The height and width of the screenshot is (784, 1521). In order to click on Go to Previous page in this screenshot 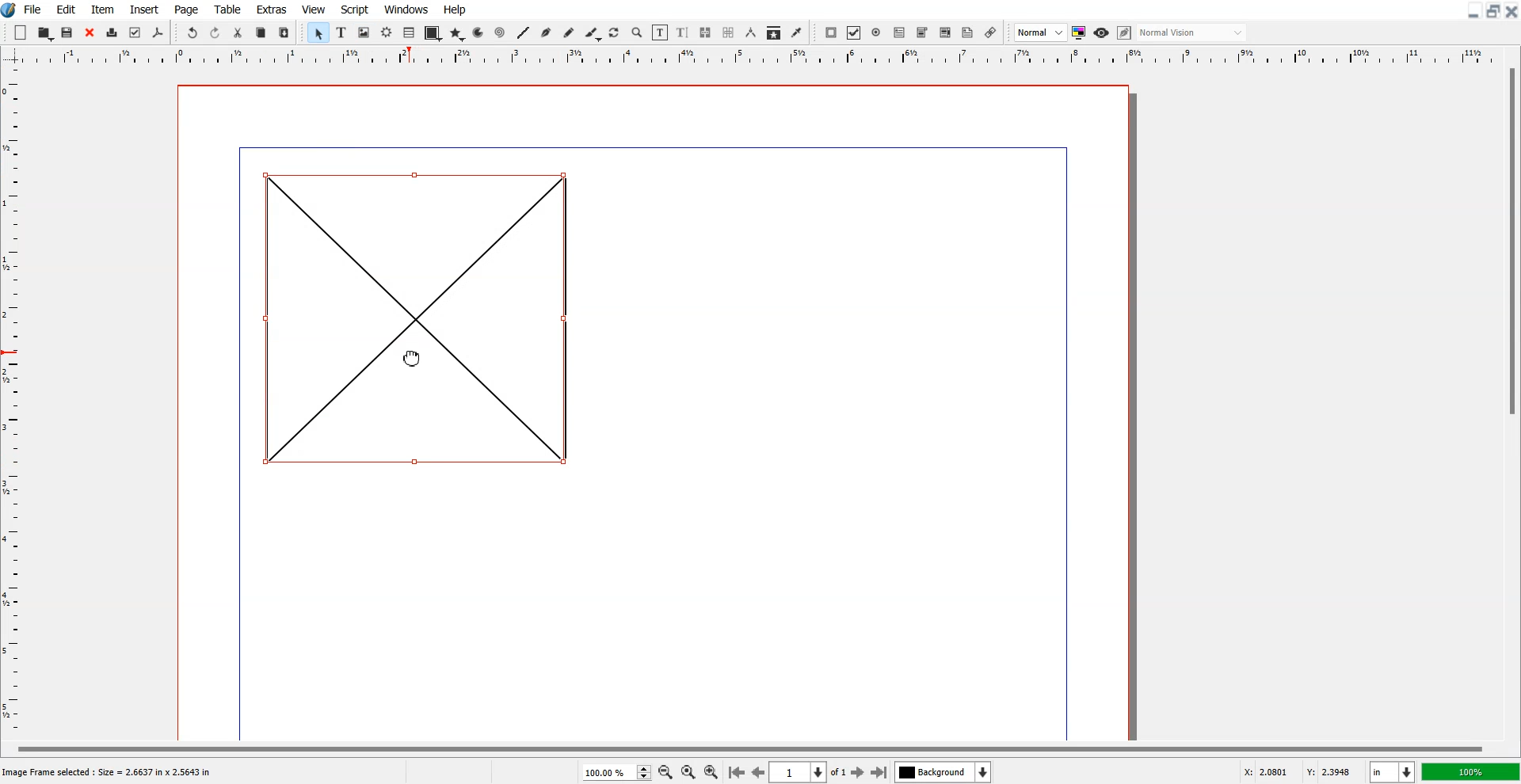, I will do `click(757, 772)`.